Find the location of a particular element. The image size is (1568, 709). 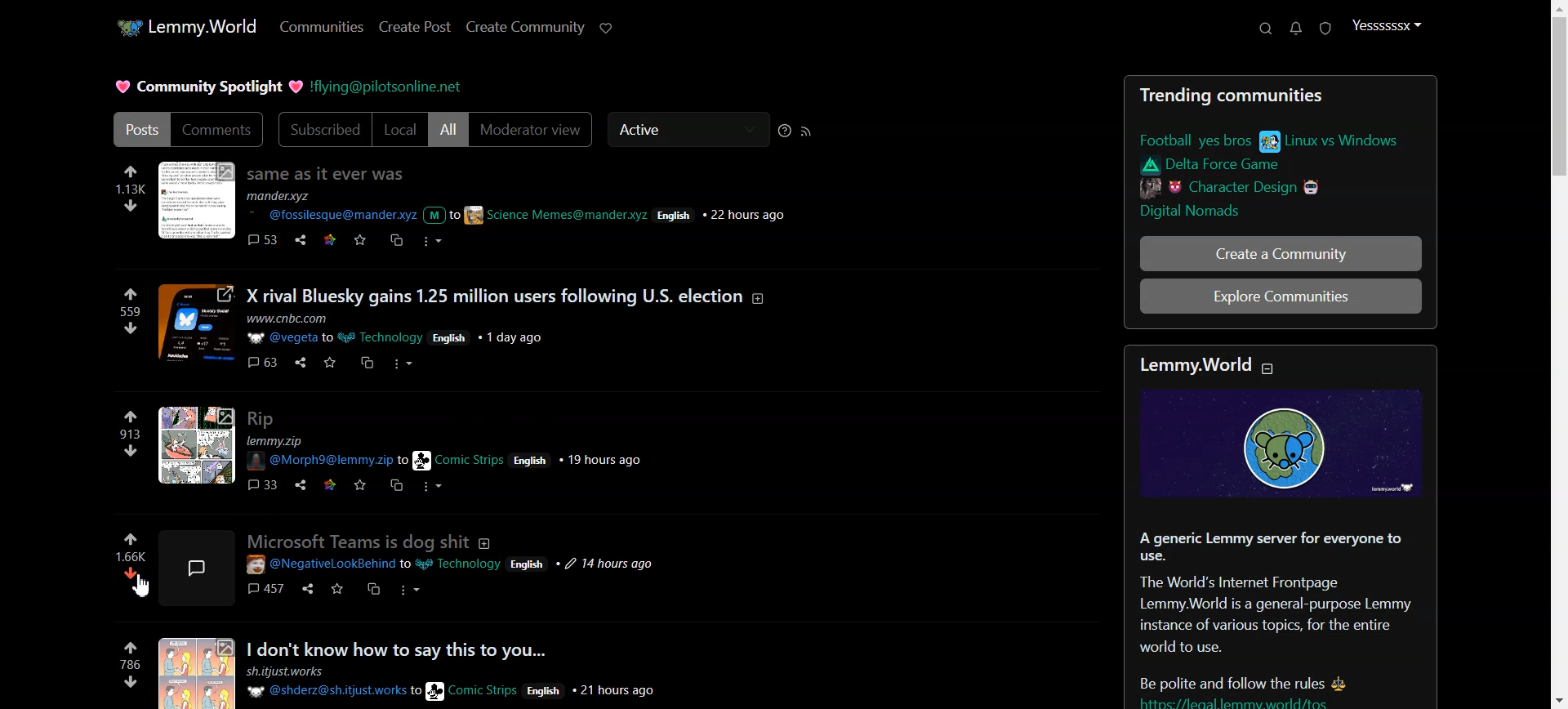

Posts is located at coordinates (460, 329).